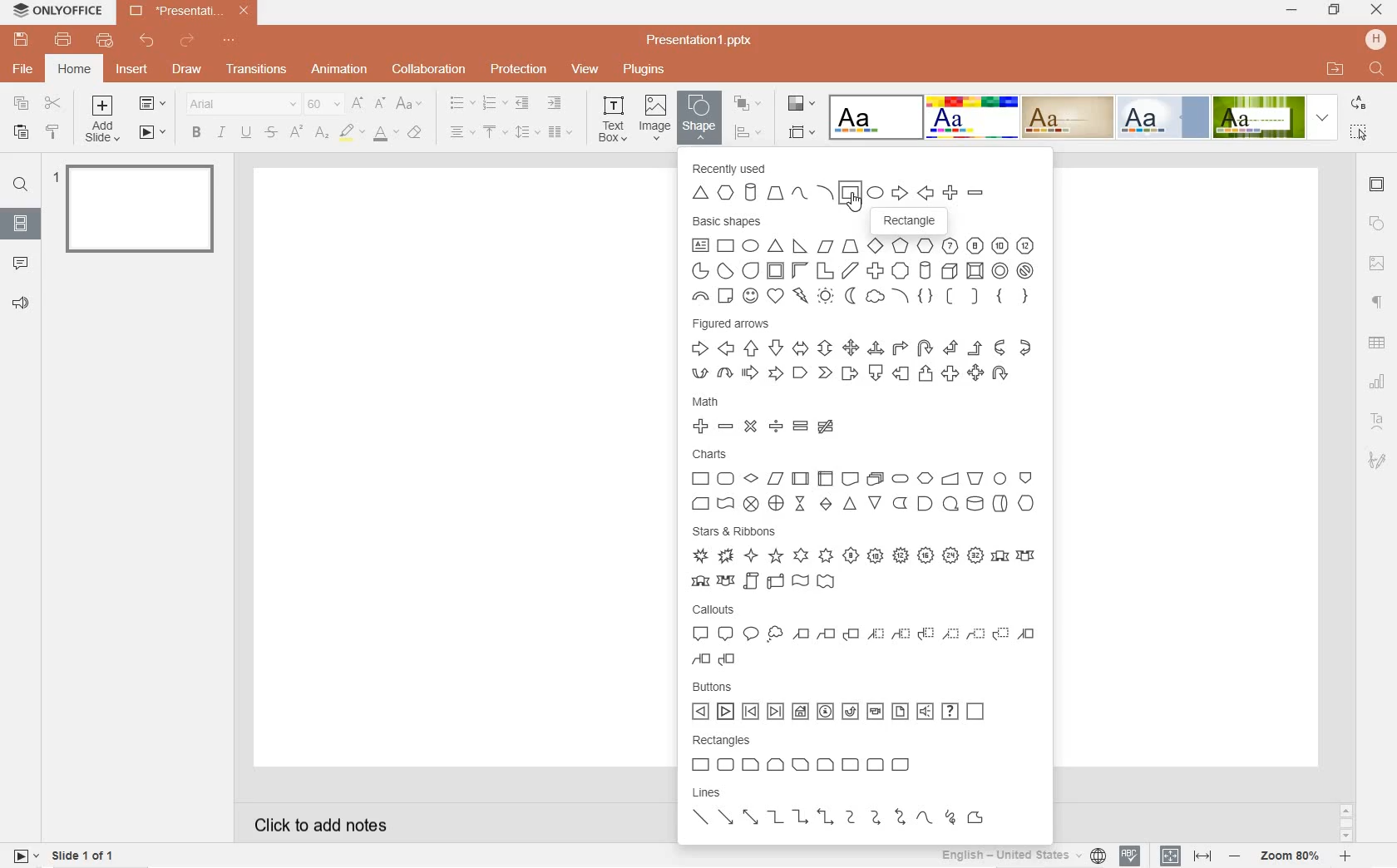 This screenshot has height=868, width=1397. What do you see at coordinates (802, 296) in the screenshot?
I see `Lightning Bolt` at bounding box center [802, 296].